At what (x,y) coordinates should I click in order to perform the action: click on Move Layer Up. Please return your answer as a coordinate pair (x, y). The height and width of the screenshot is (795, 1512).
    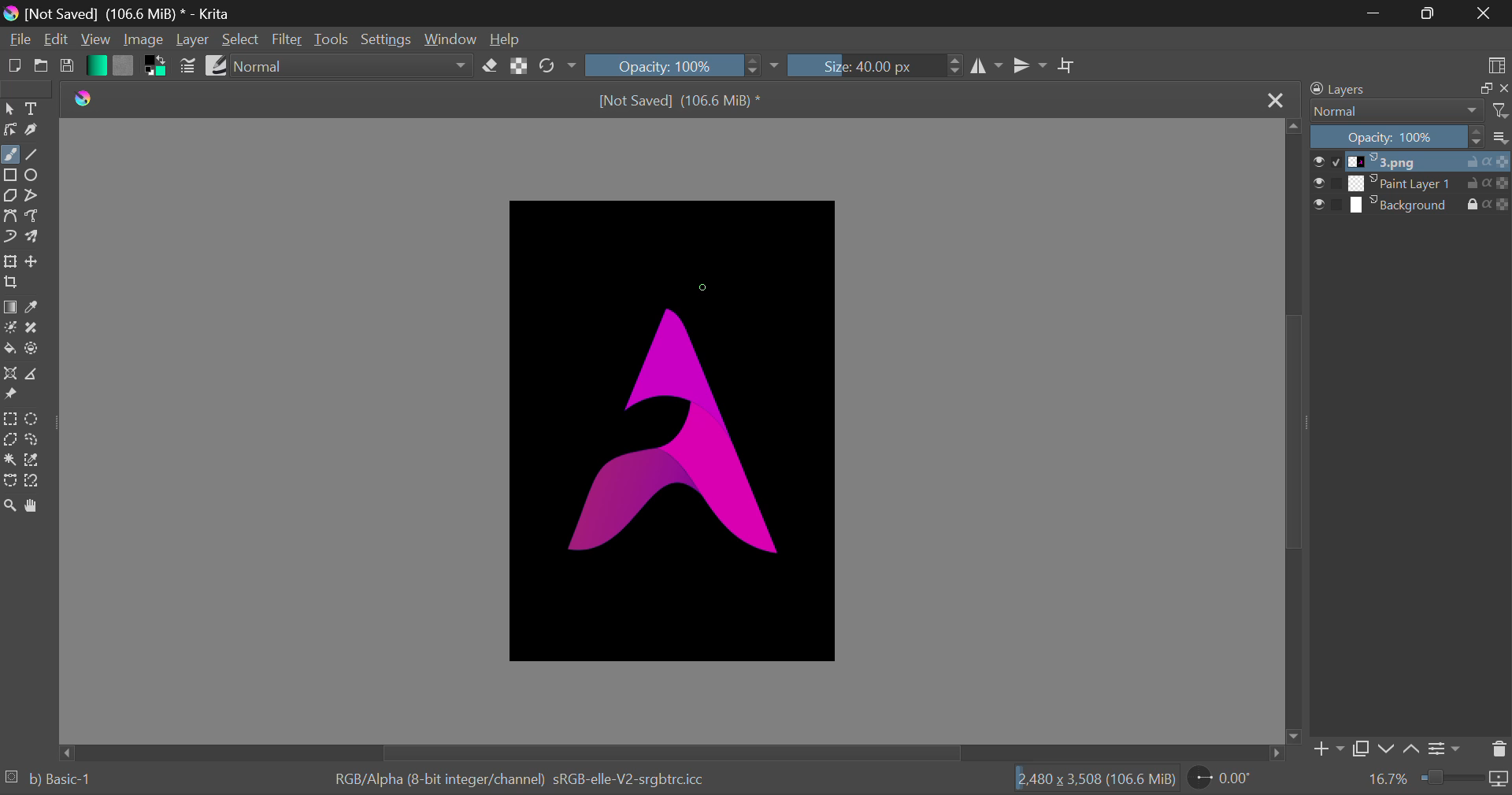
    Looking at the image, I should click on (1414, 748).